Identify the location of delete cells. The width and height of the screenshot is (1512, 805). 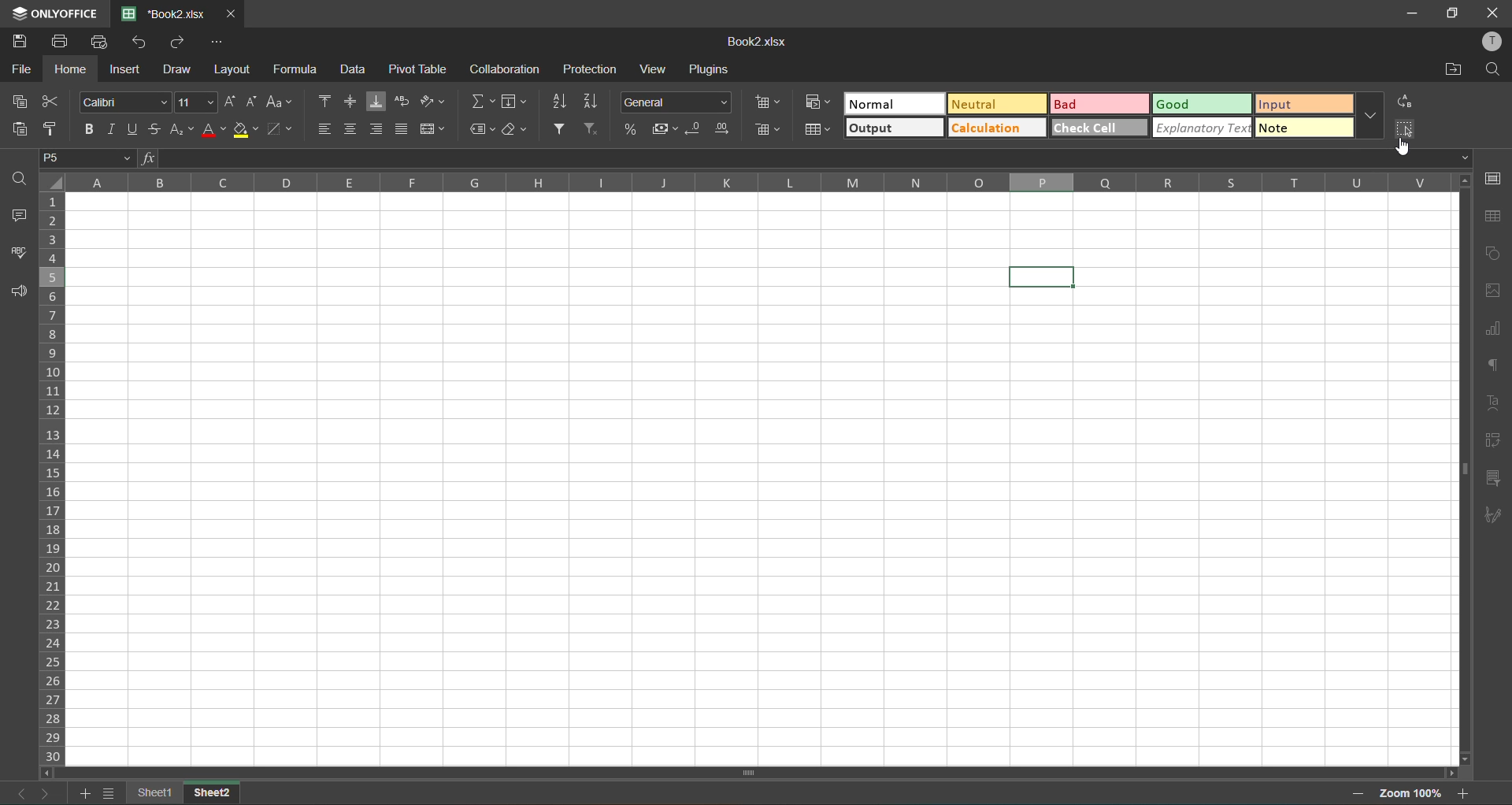
(769, 133).